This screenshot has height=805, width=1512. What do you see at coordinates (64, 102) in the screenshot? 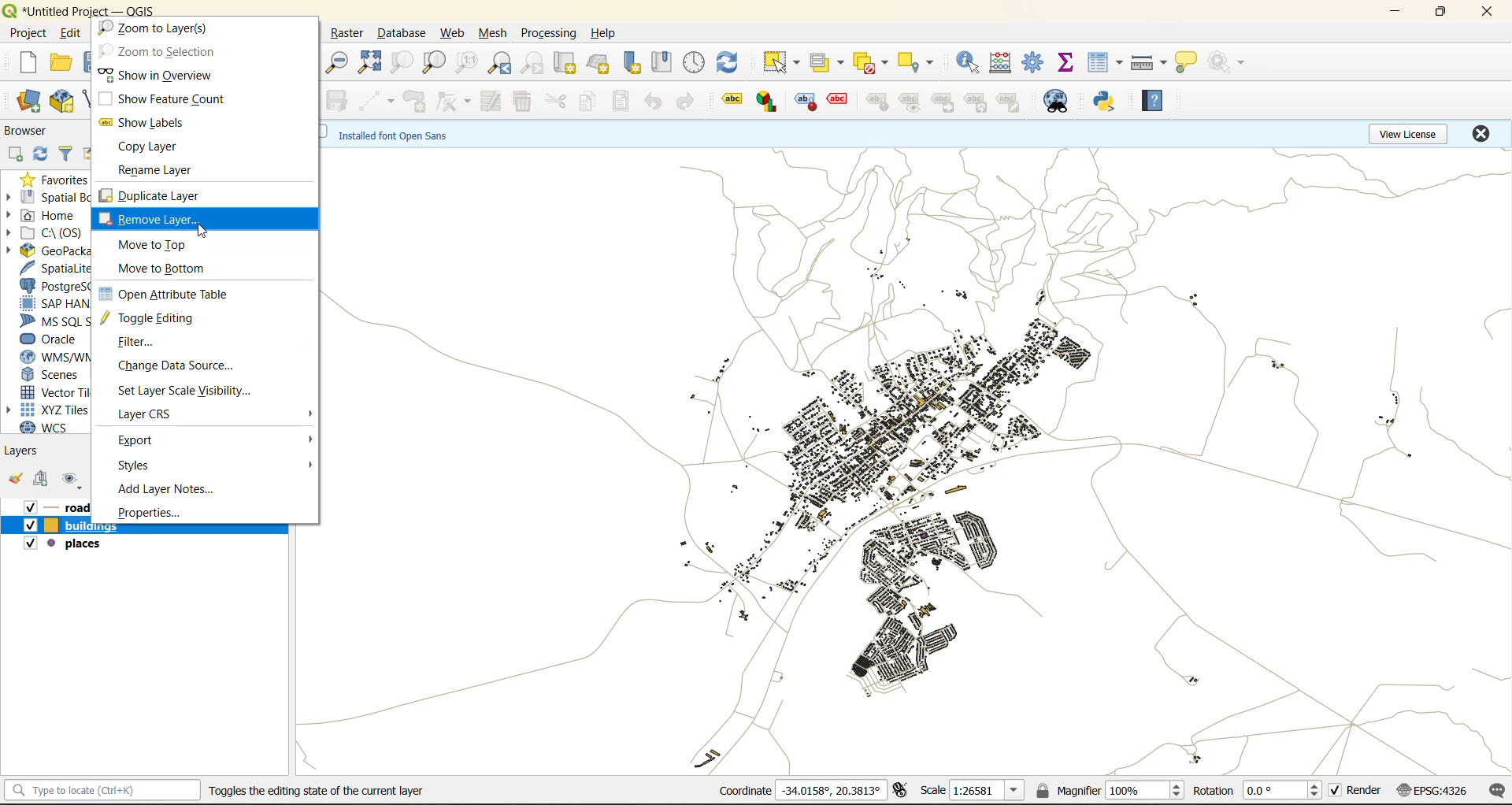
I see `new geopackage` at bounding box center [64, 102].